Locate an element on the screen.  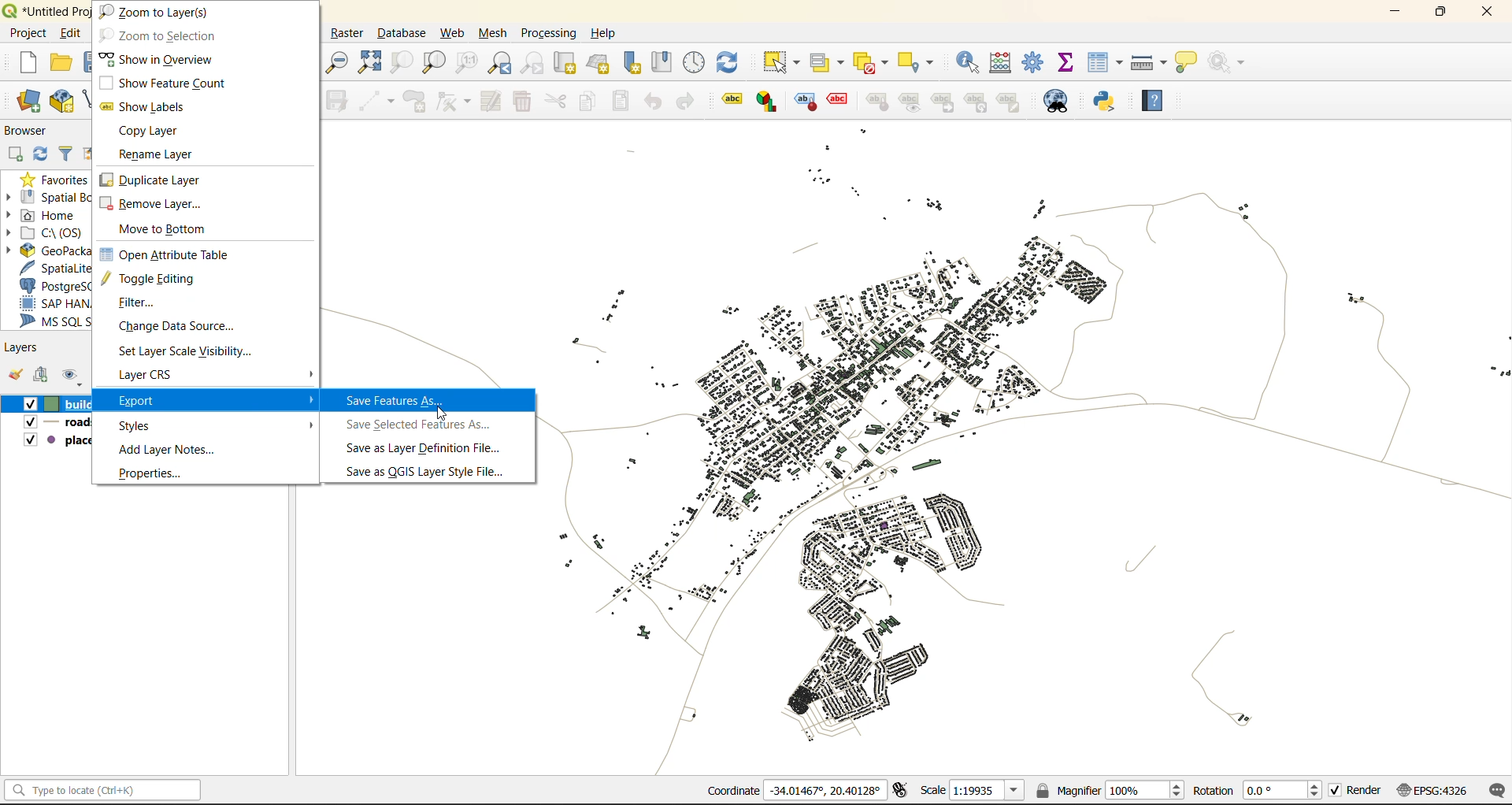
remove layer is located at coordinates (154, 205).